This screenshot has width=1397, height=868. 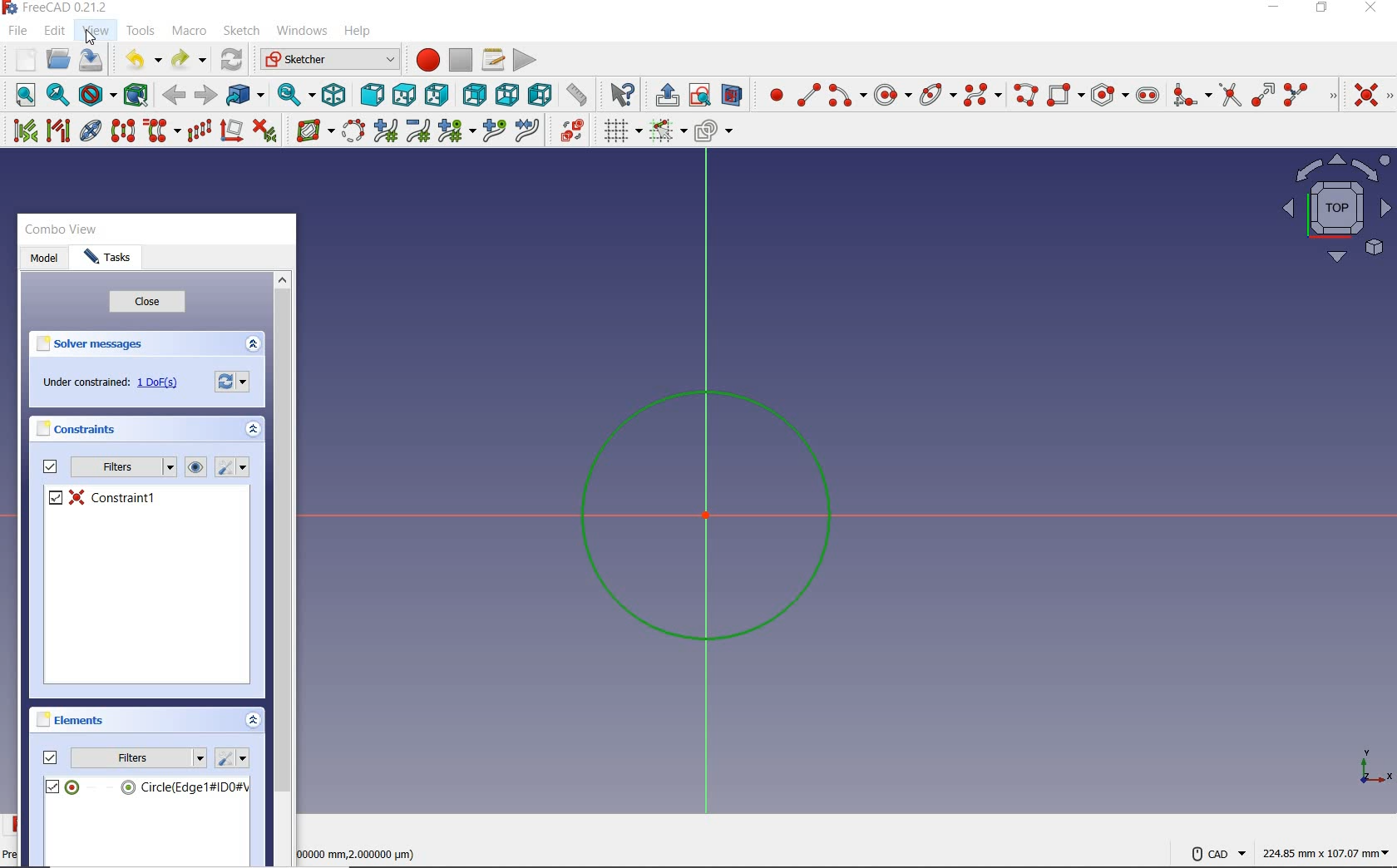 I want to click on left, so click(x=538, y=93).